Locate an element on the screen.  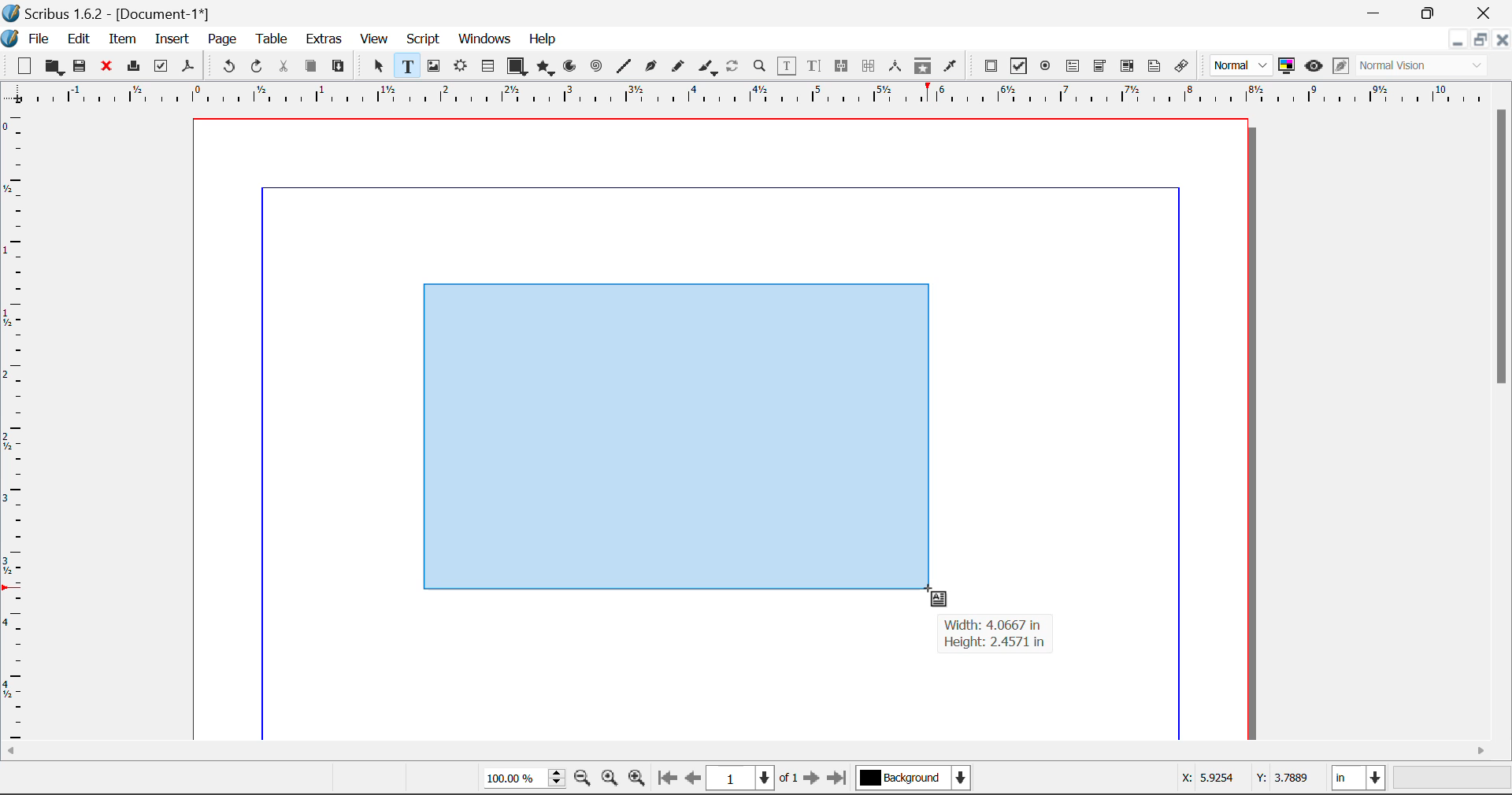
Background is located at coordinates (913, 779).